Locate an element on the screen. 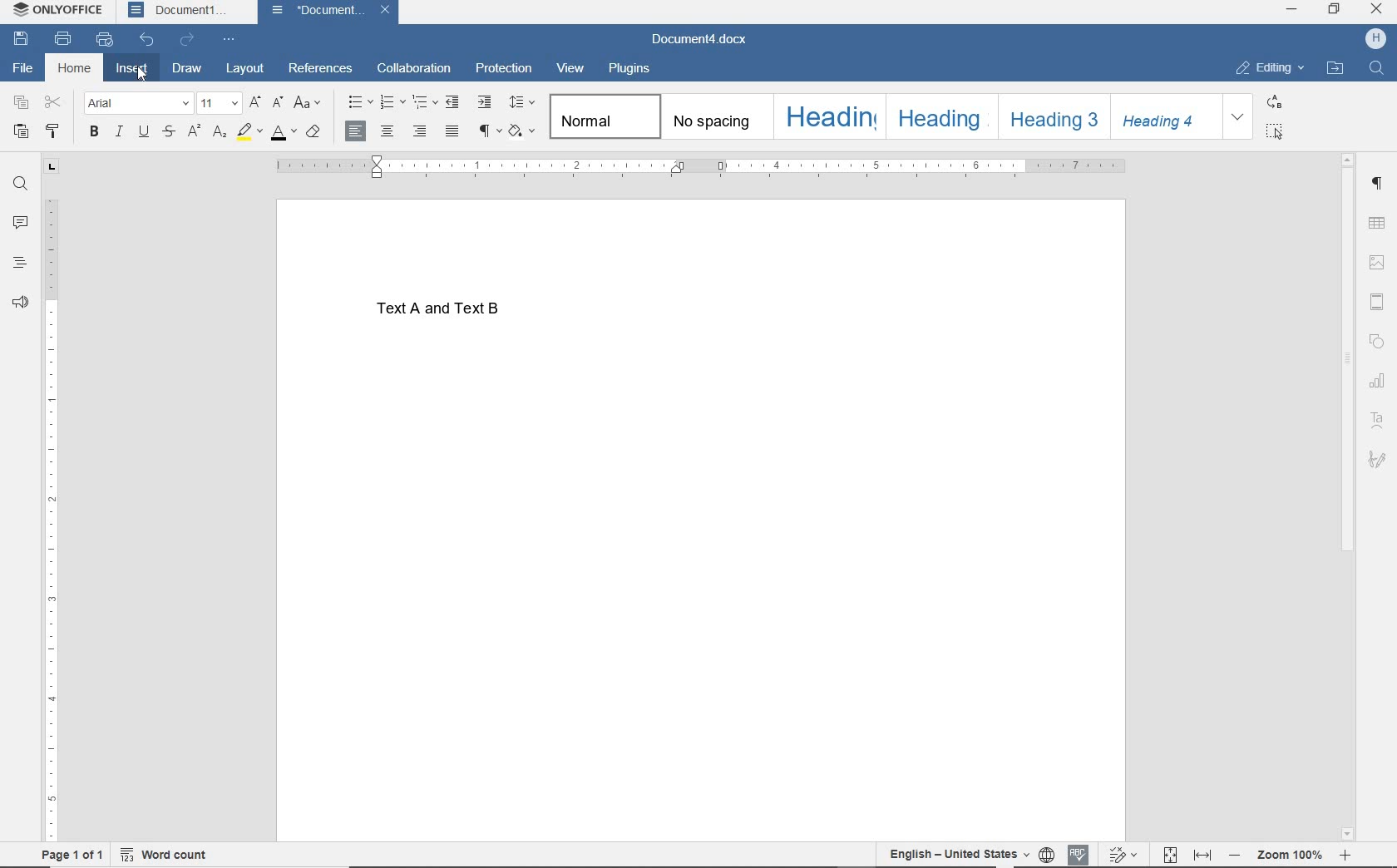 This screenshot has width=1397, height=868. ALIGN RIGHT is located at coordinates (419, 133).